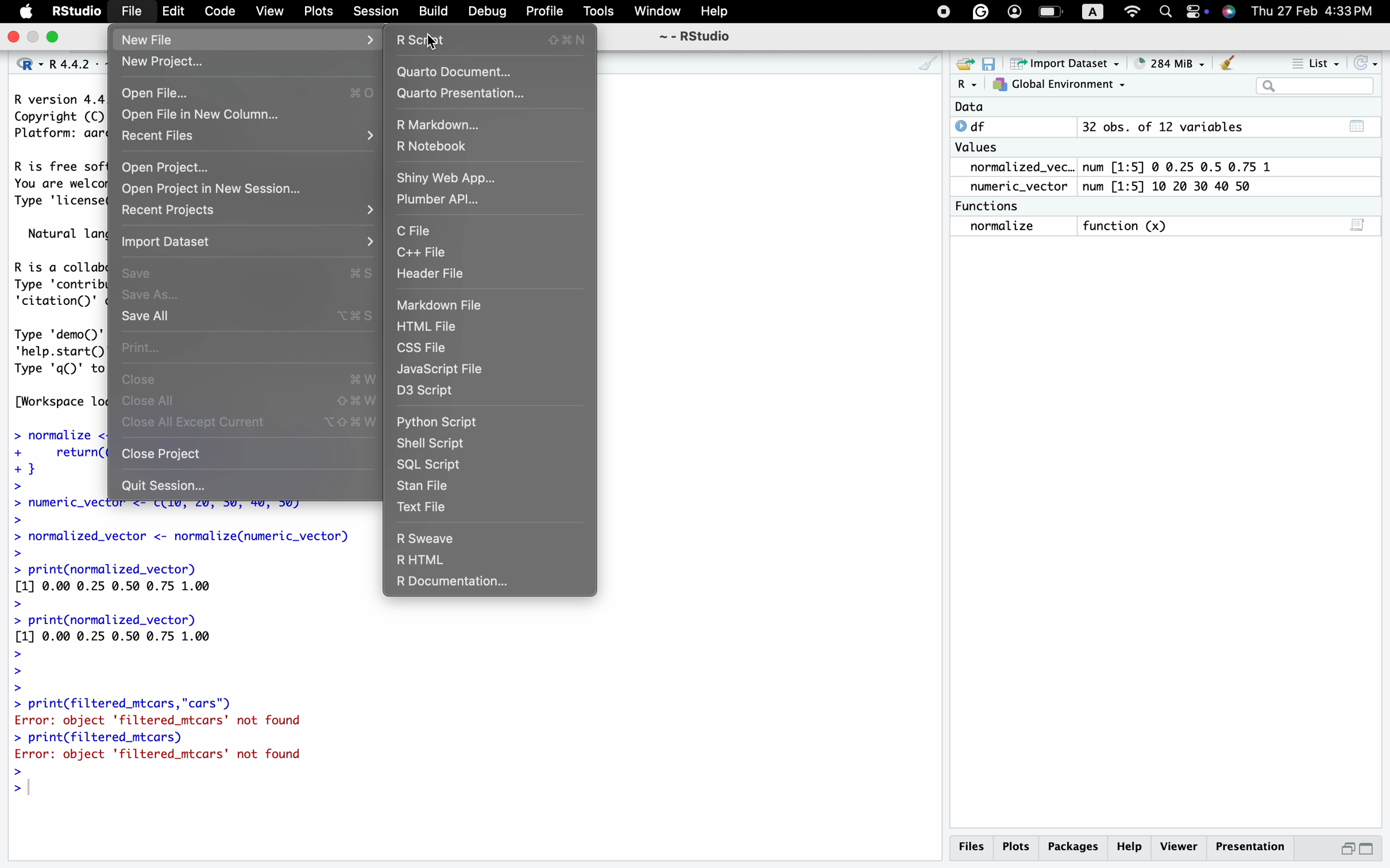  What do you see at coordinates (438, 421) in the screenshot?
I see `Python Script` at bounding box center [438, 421].